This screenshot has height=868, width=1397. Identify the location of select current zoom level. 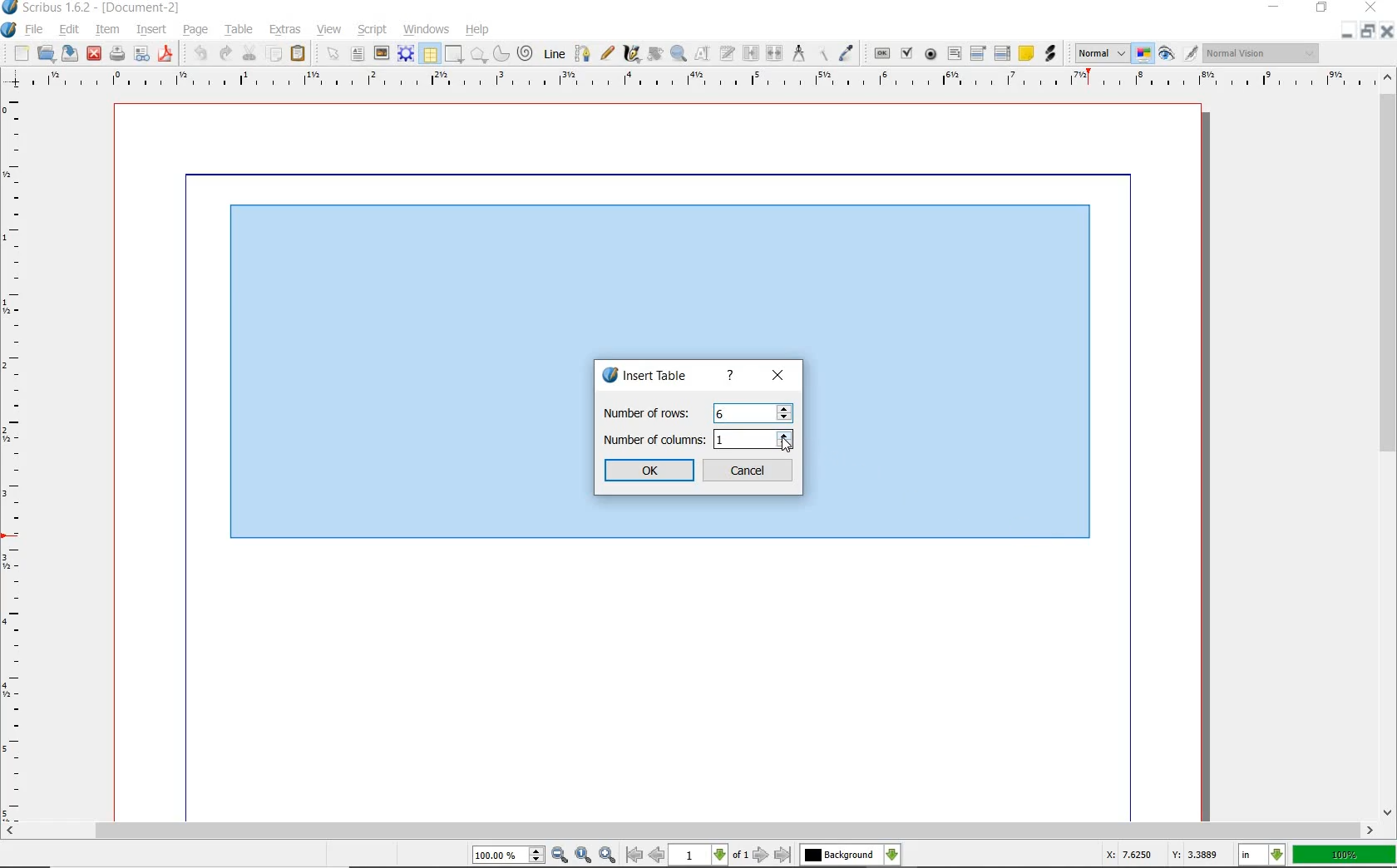
(508, 856).